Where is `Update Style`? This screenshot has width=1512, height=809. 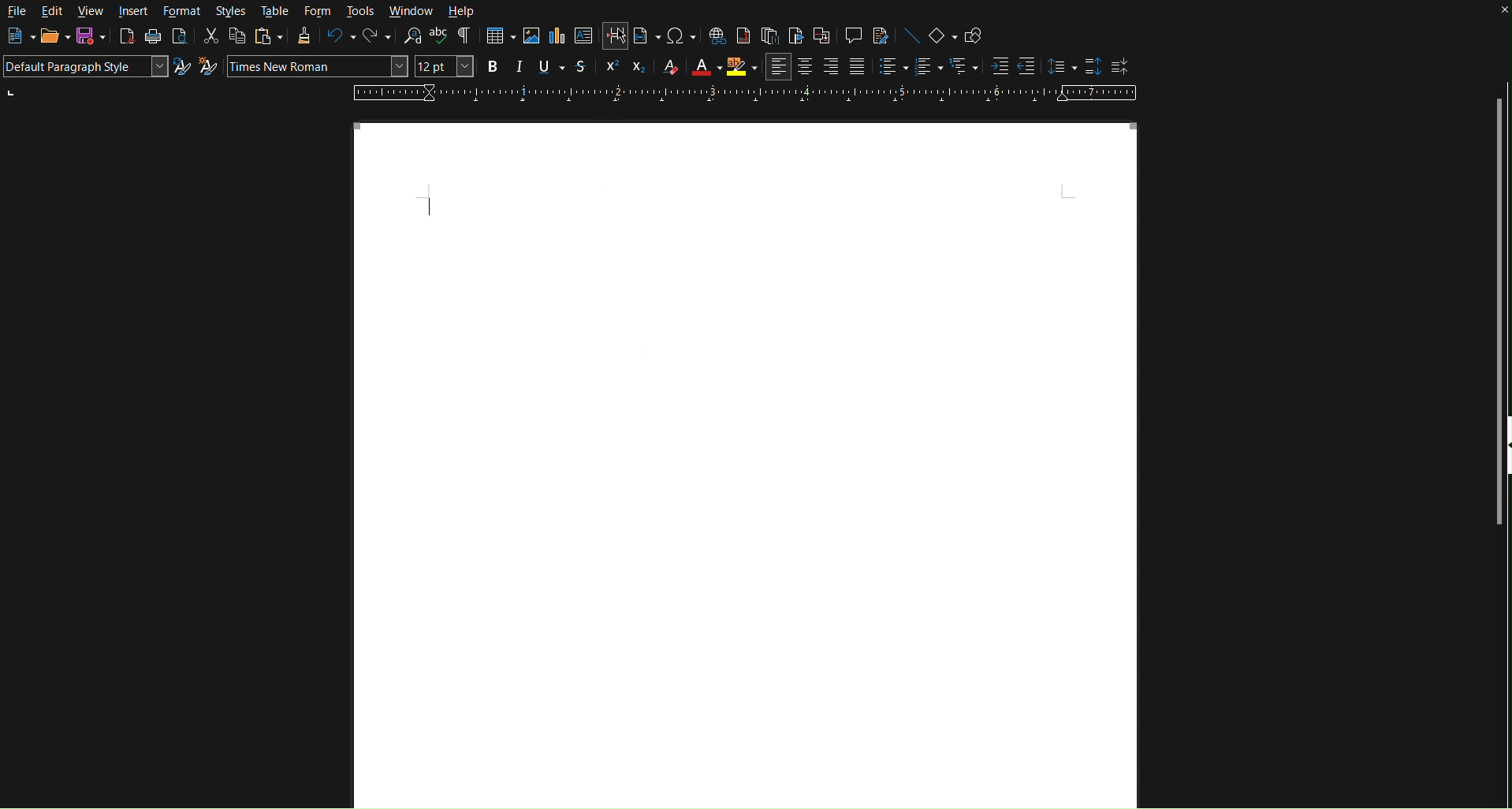 Update Style is located at coordinates (182, 68).